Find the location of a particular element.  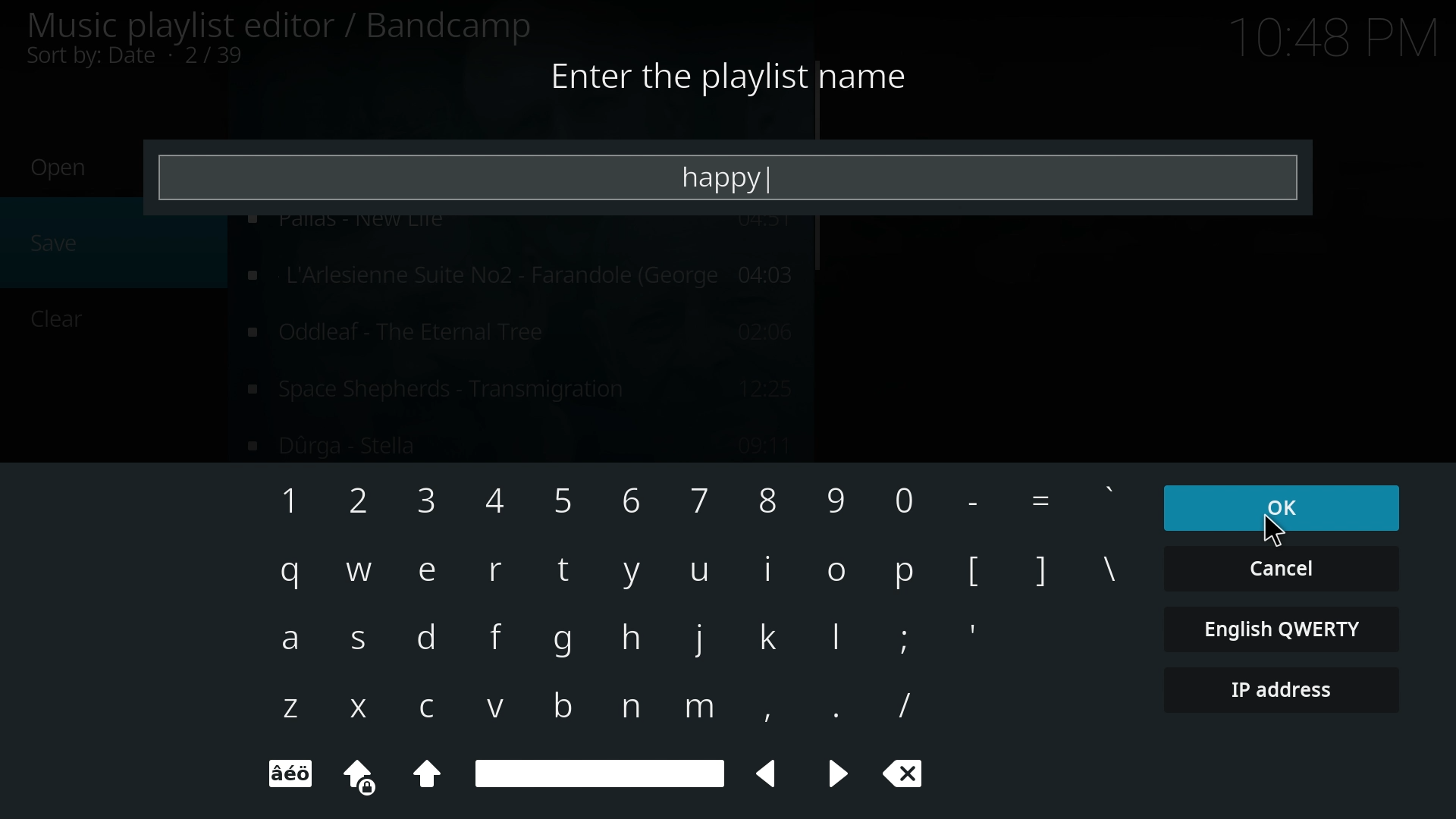

Time is located at coordinates (1334, 36).